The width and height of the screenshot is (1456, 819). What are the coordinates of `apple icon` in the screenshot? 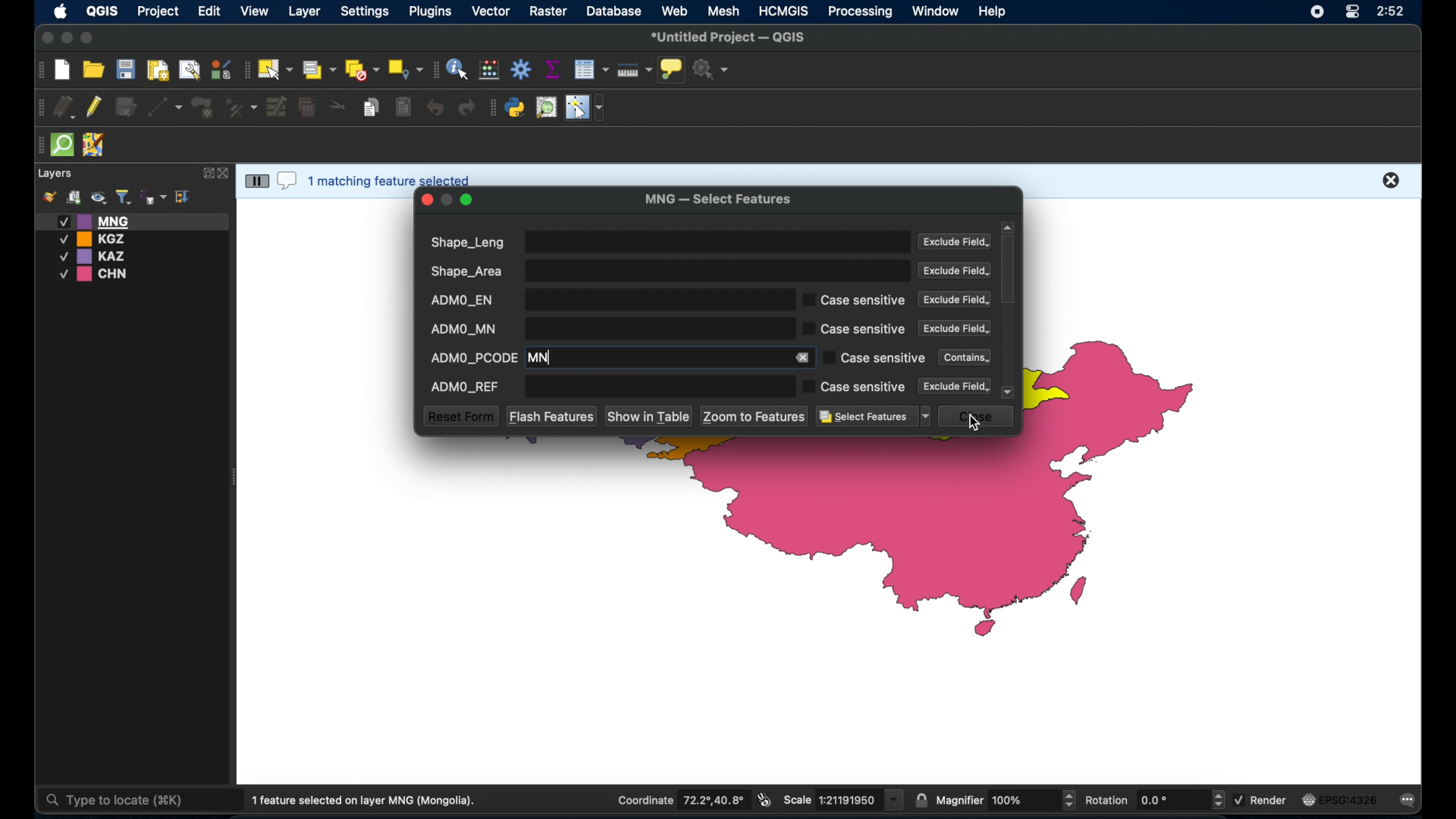 It's located at (59, 13).